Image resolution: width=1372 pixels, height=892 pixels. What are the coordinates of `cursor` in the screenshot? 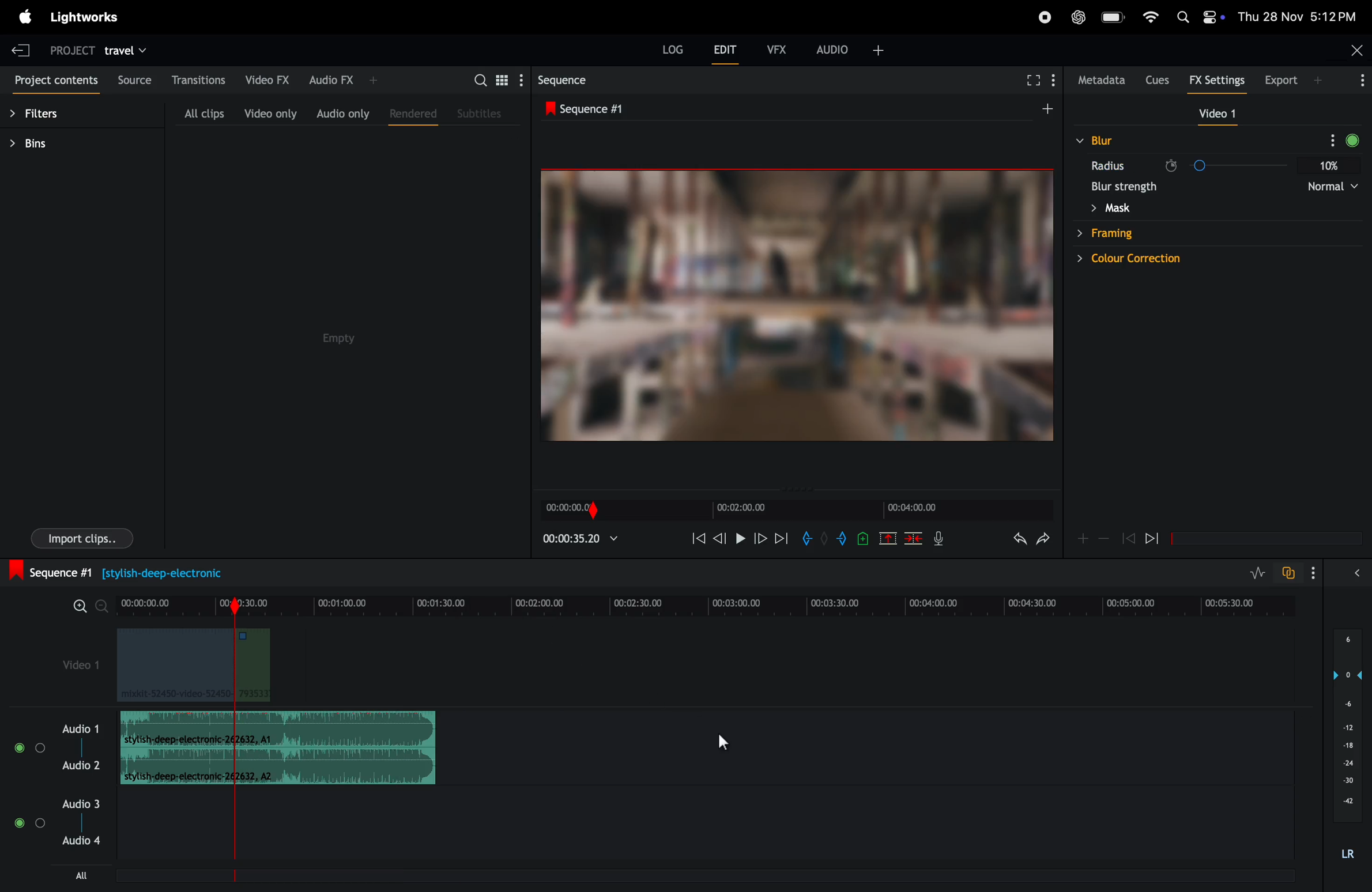 It's located at (721, 743).